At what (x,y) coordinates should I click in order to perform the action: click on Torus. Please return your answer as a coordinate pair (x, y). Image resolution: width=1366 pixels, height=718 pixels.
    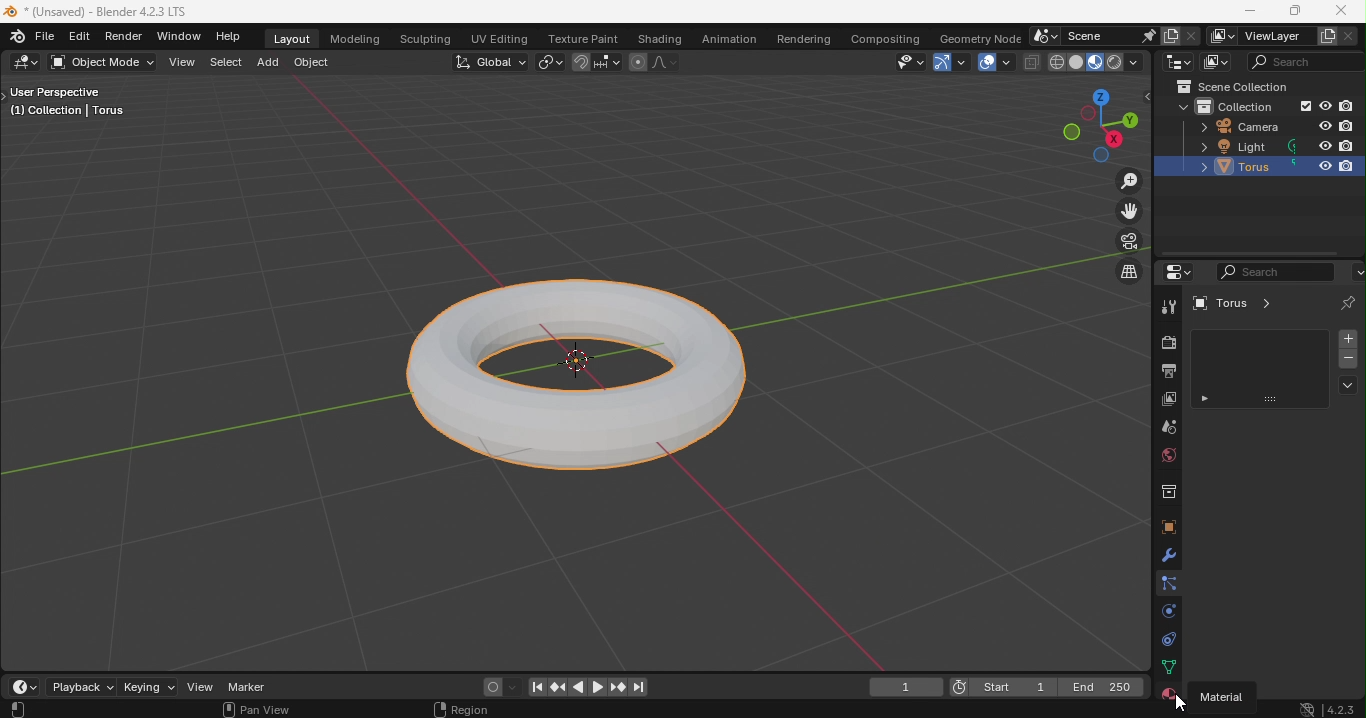
    Looking at the image, I should click on (1237, 303).